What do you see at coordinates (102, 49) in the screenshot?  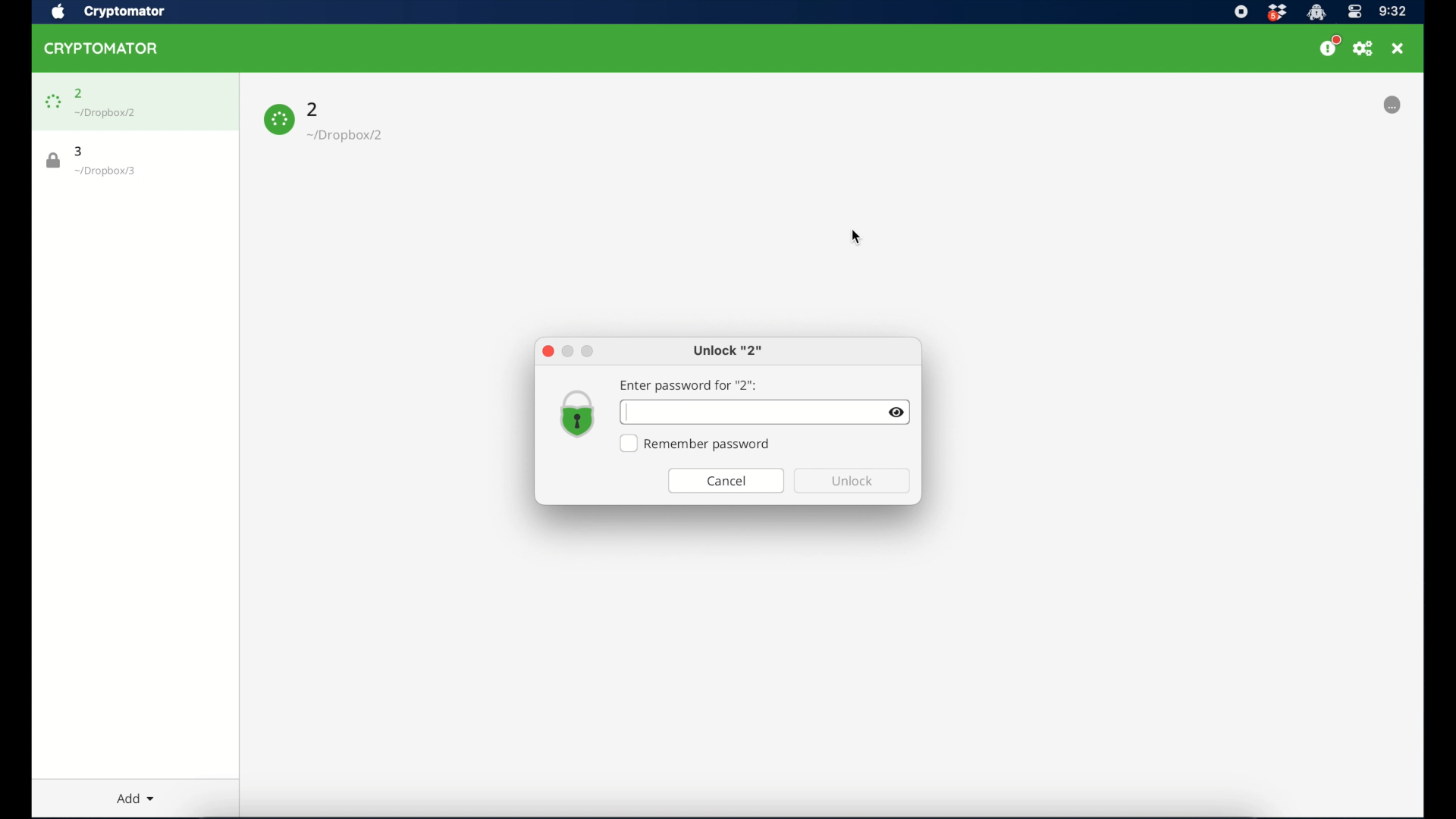 I see `cryptomator icon` at bounding box center [102, 49].